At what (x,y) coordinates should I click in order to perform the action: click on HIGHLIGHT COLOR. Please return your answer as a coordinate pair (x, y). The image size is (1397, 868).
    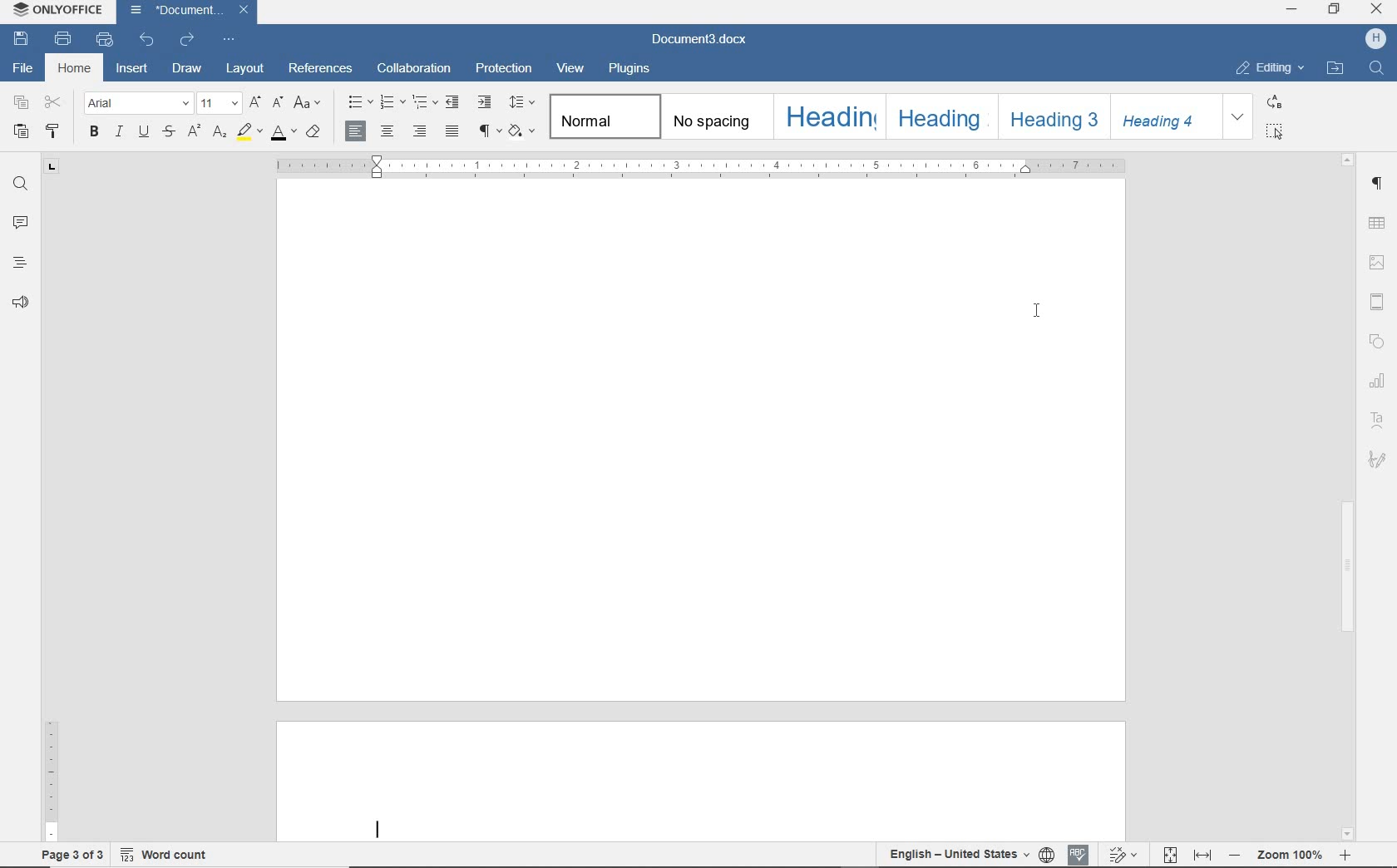
    Looking at the image, I should click on (248, 131).